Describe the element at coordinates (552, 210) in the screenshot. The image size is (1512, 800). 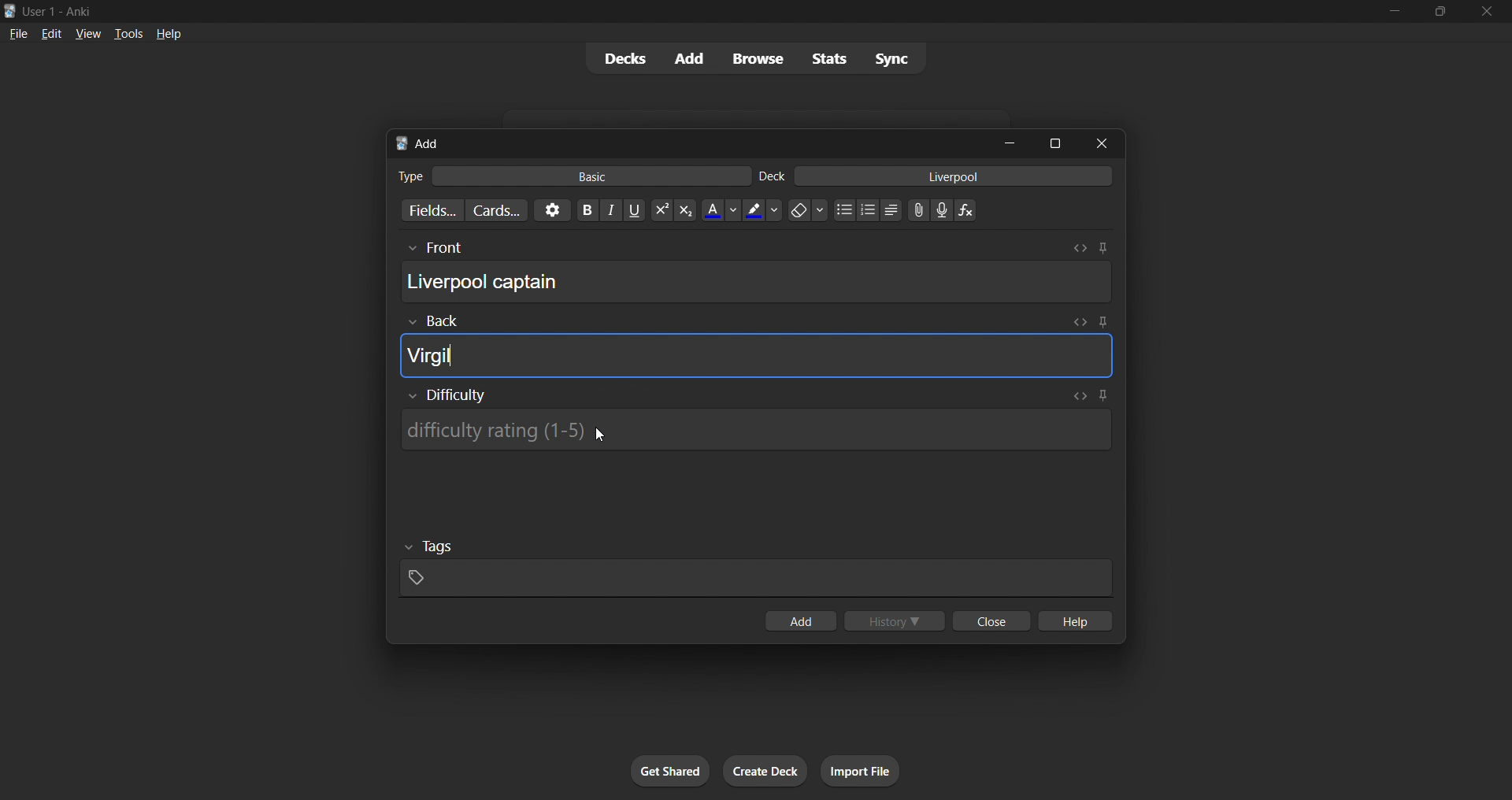
I see `options` at that location.